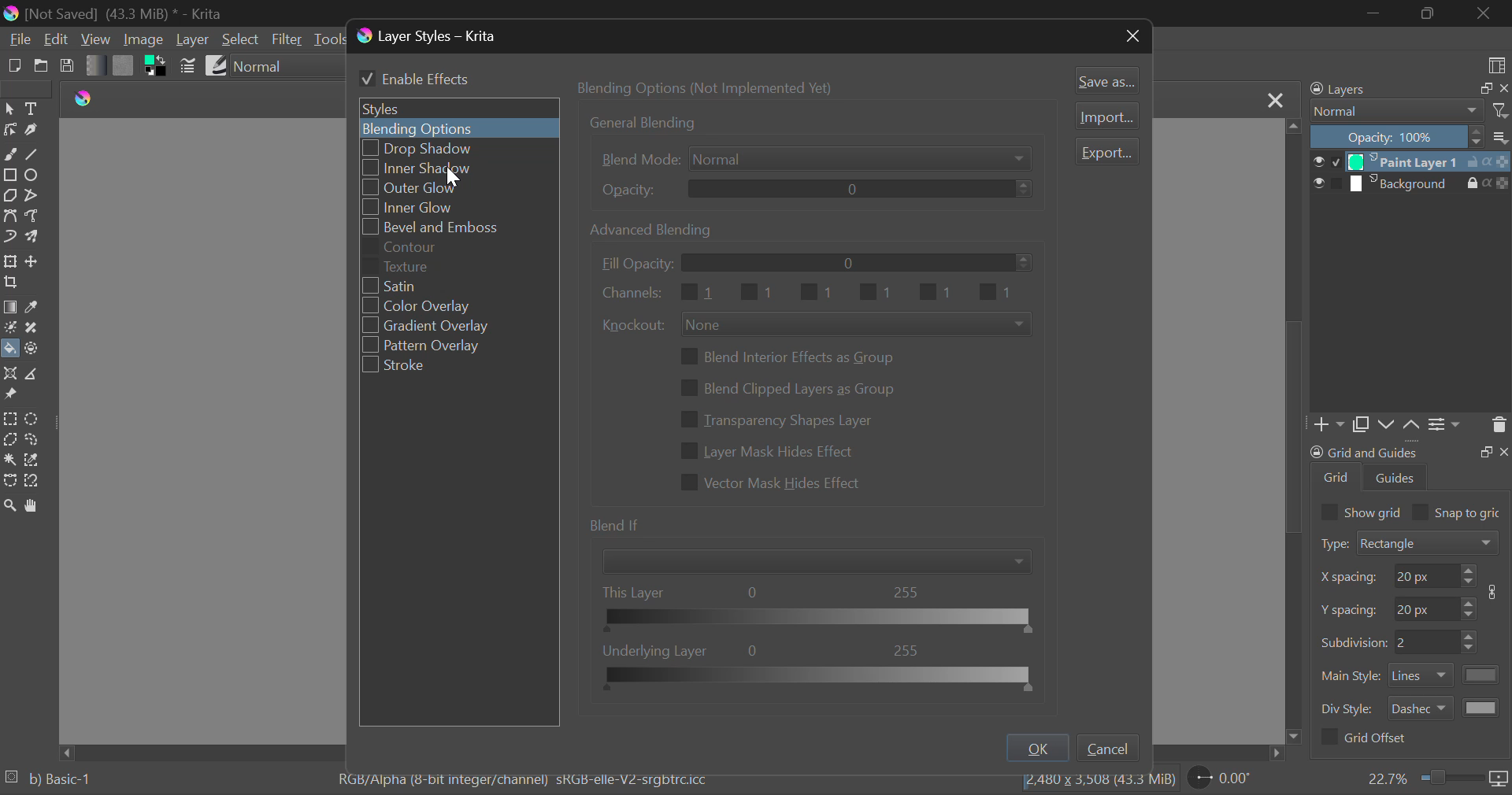 The width and height of the screenshot is (1512, 795). What do you see at coordinates (123, 68) in the screenshot?
I see `Pattern` at bounding box center [123, 68].